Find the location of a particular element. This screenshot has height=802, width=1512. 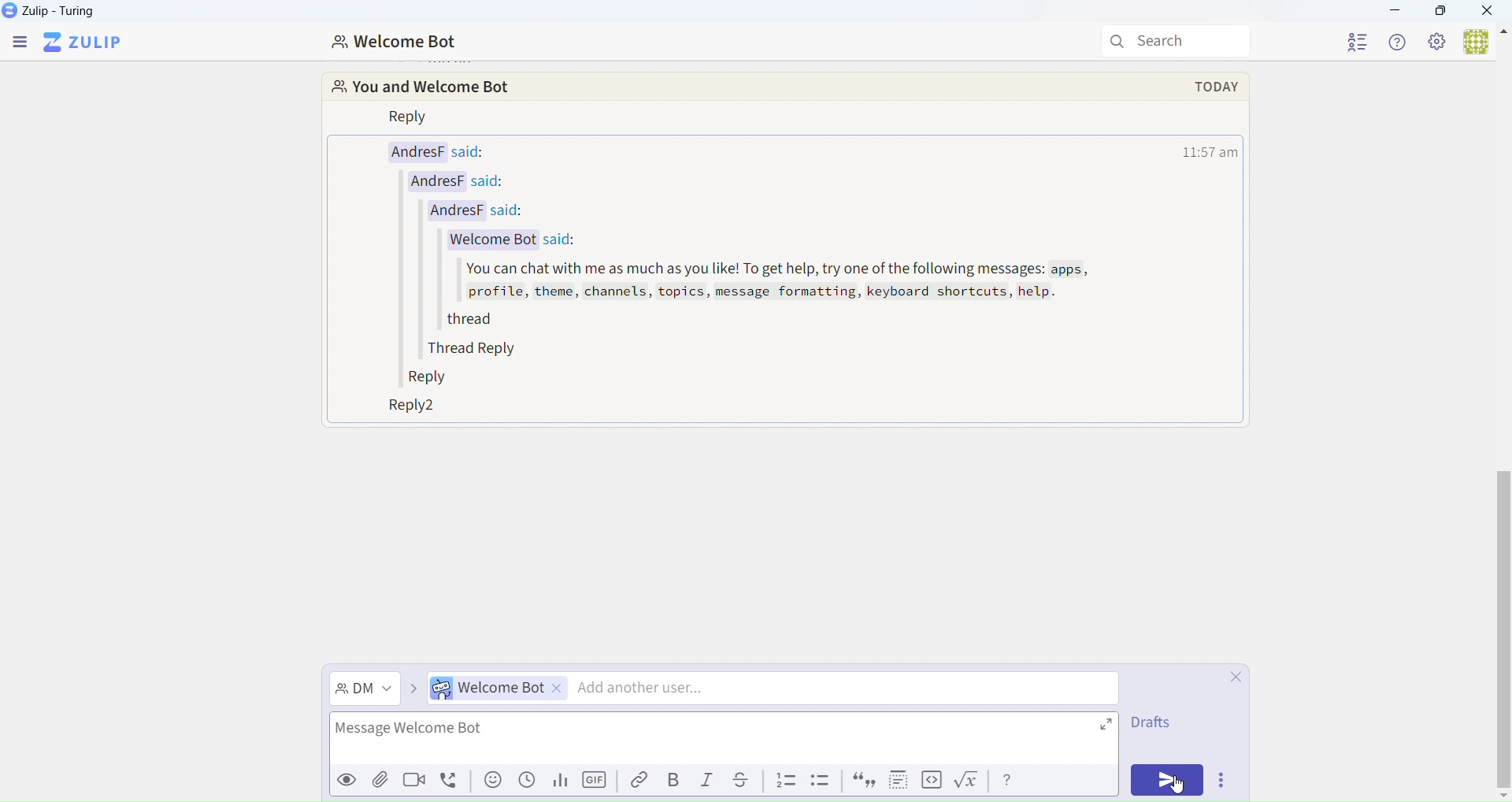

emoji is located at coordinates (491, 782).